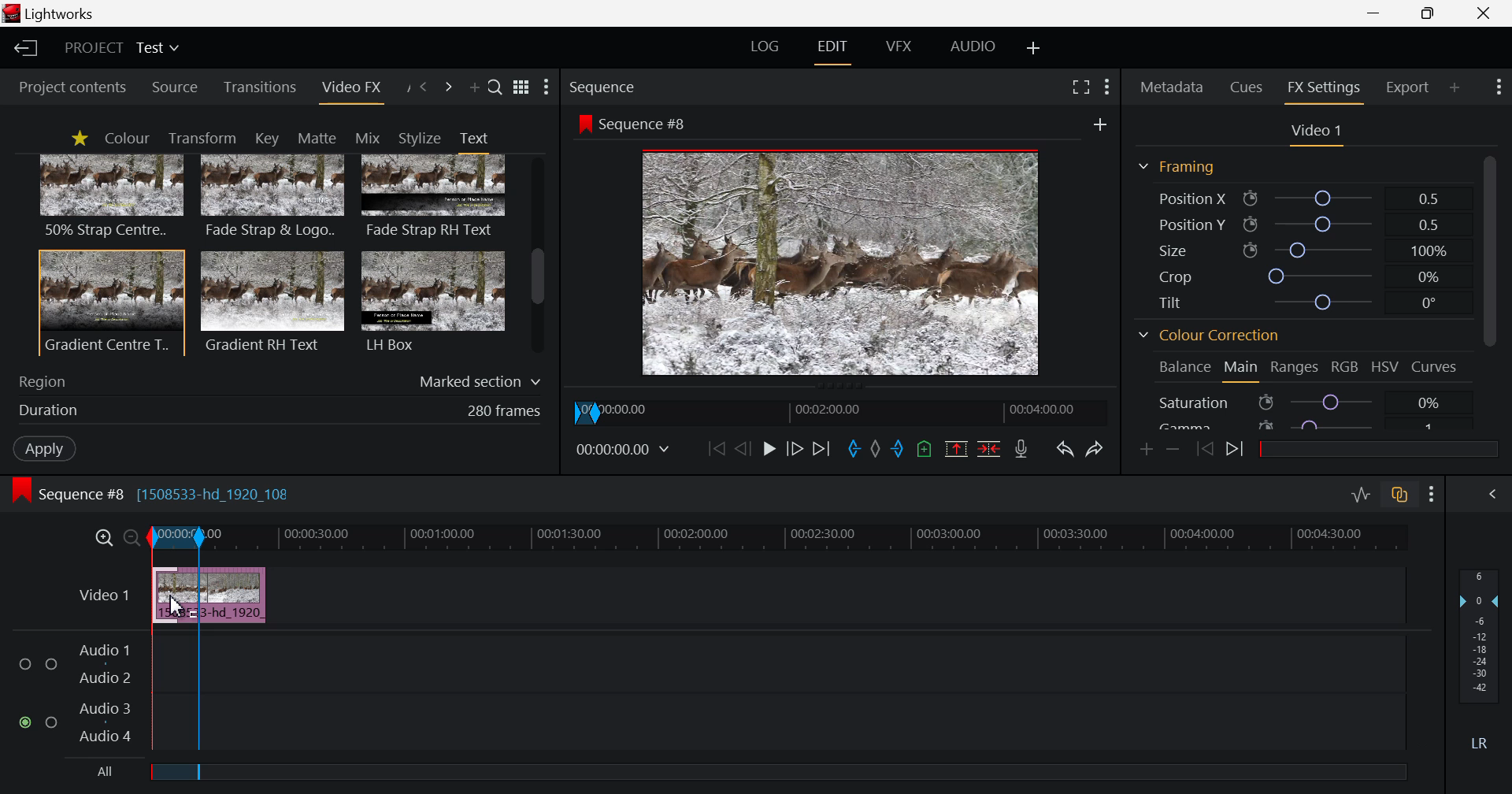  What do you see at coordinates (474, 91) in the screenshot?
I see `Add Panel` at bounding box center [474, 91].